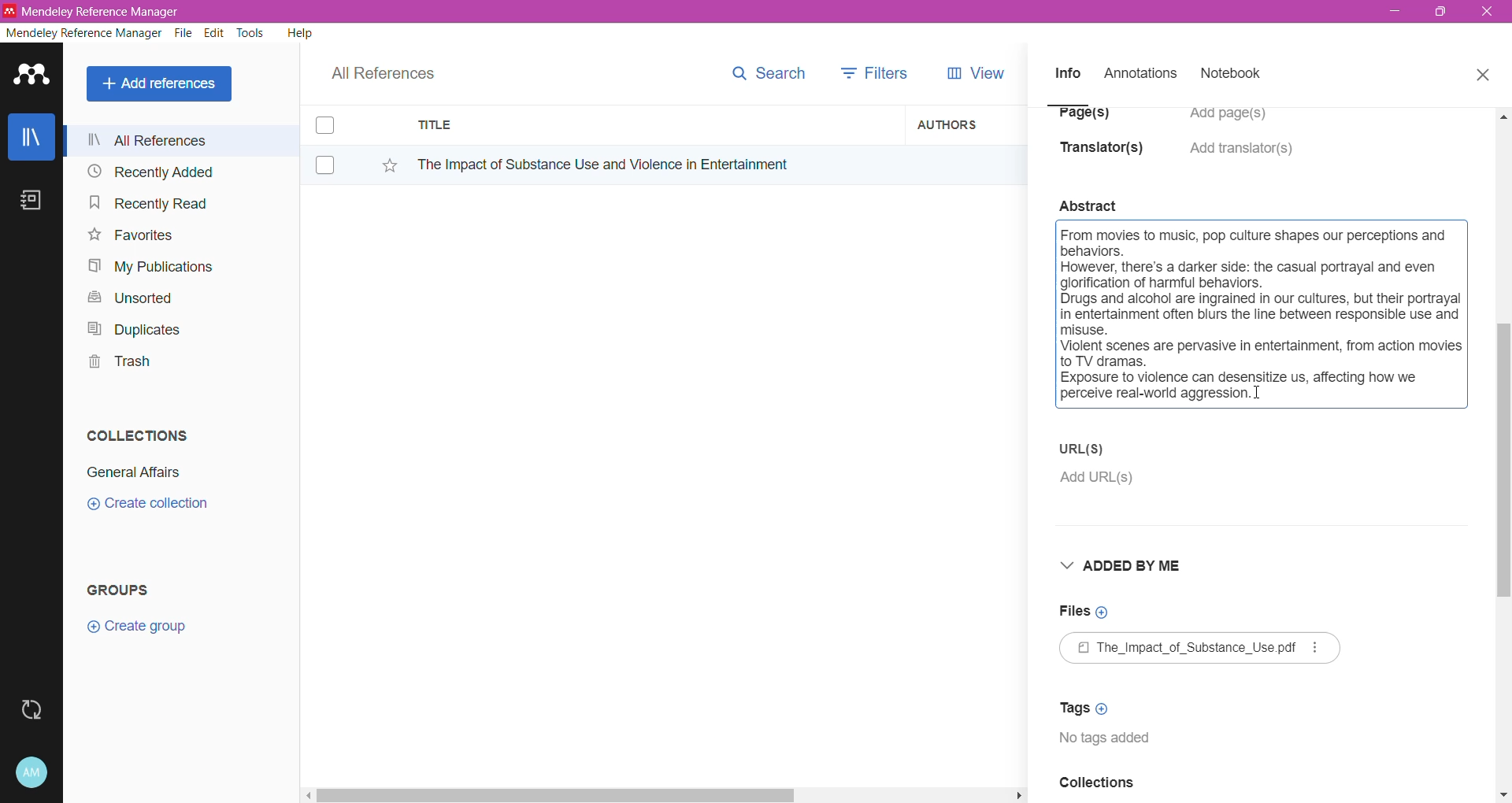  What do you see at coordinates (662, 794) in the screenshot?
I see `Horizontal Scroll Bar` at bounding box center [662, 794].